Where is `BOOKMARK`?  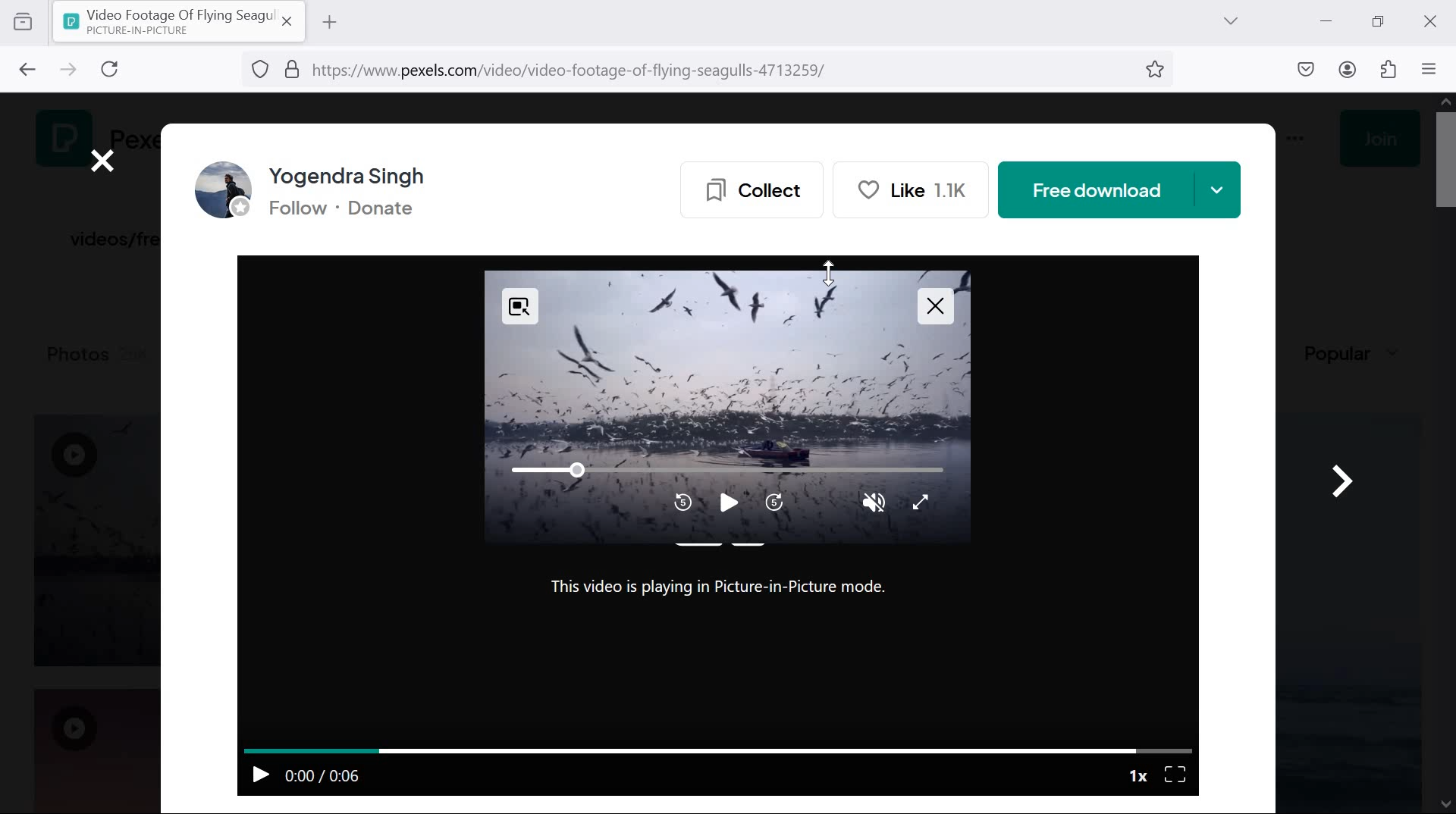
BOOKMARK is located at coordinates (1156, 71).